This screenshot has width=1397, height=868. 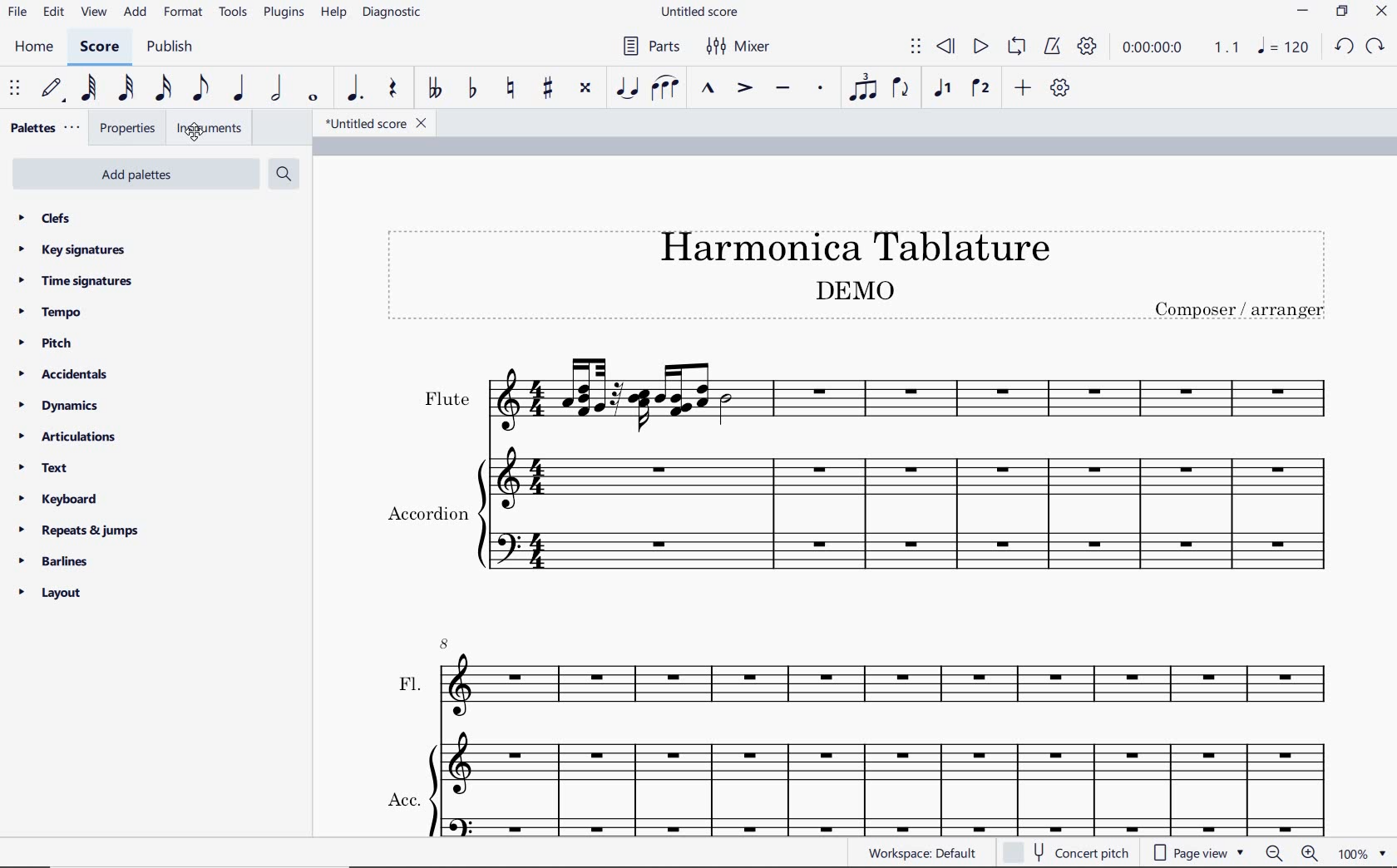 I want to click on ACC., so click(x=854, y=788).